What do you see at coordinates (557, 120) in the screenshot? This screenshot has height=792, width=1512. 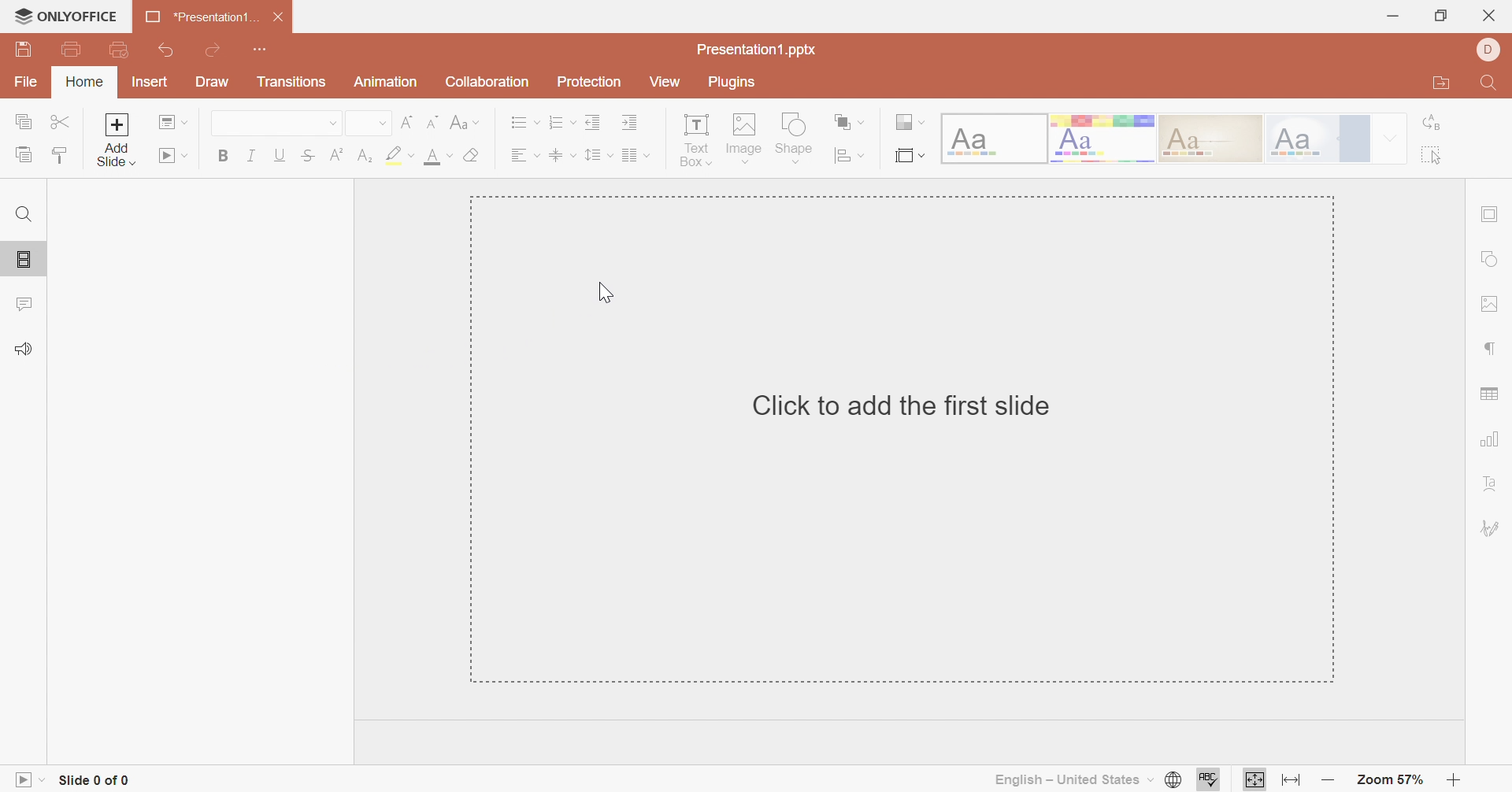 I see `Numbering` at bounding box center [557, 120].